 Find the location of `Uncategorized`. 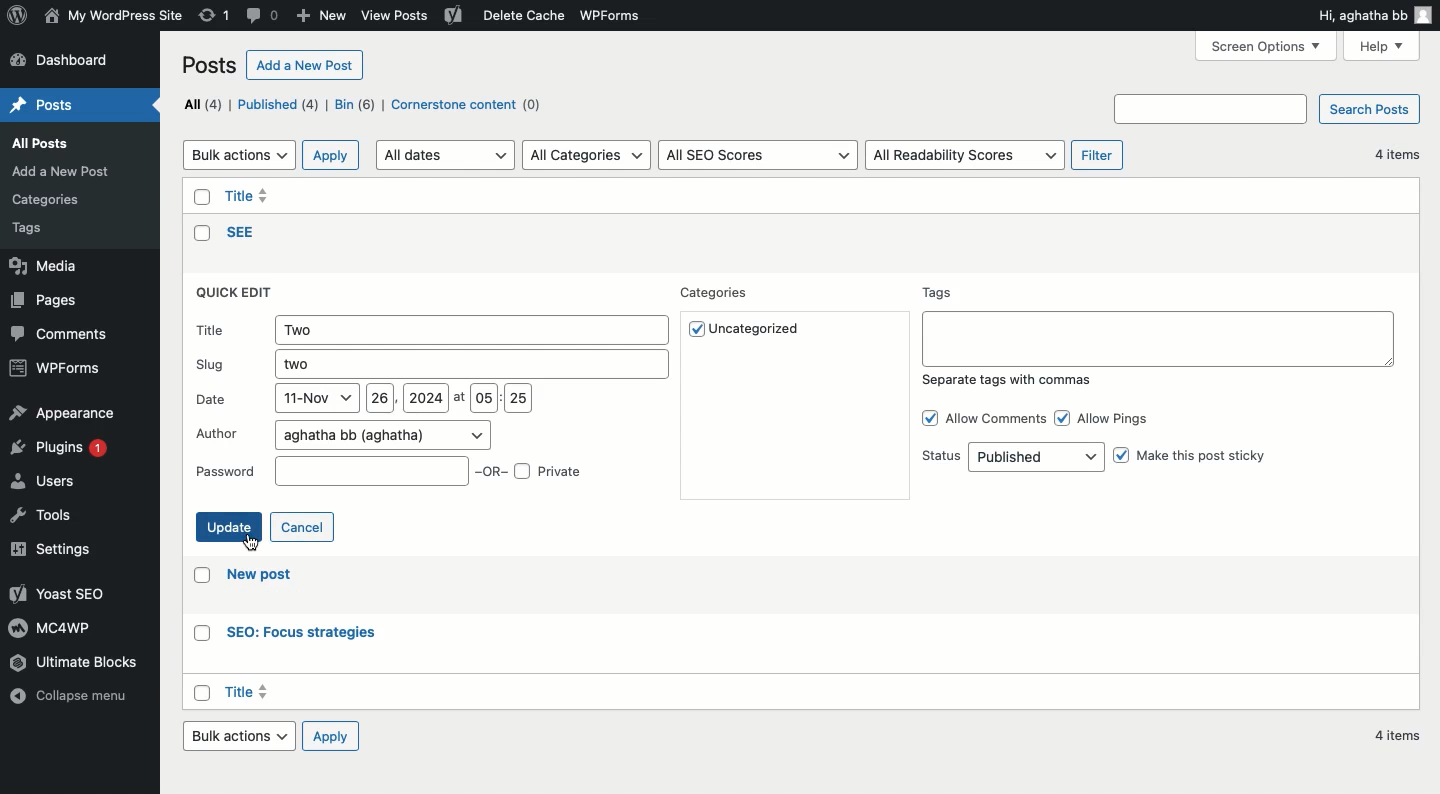

Uncategorized is located at coordinates (758, 332).